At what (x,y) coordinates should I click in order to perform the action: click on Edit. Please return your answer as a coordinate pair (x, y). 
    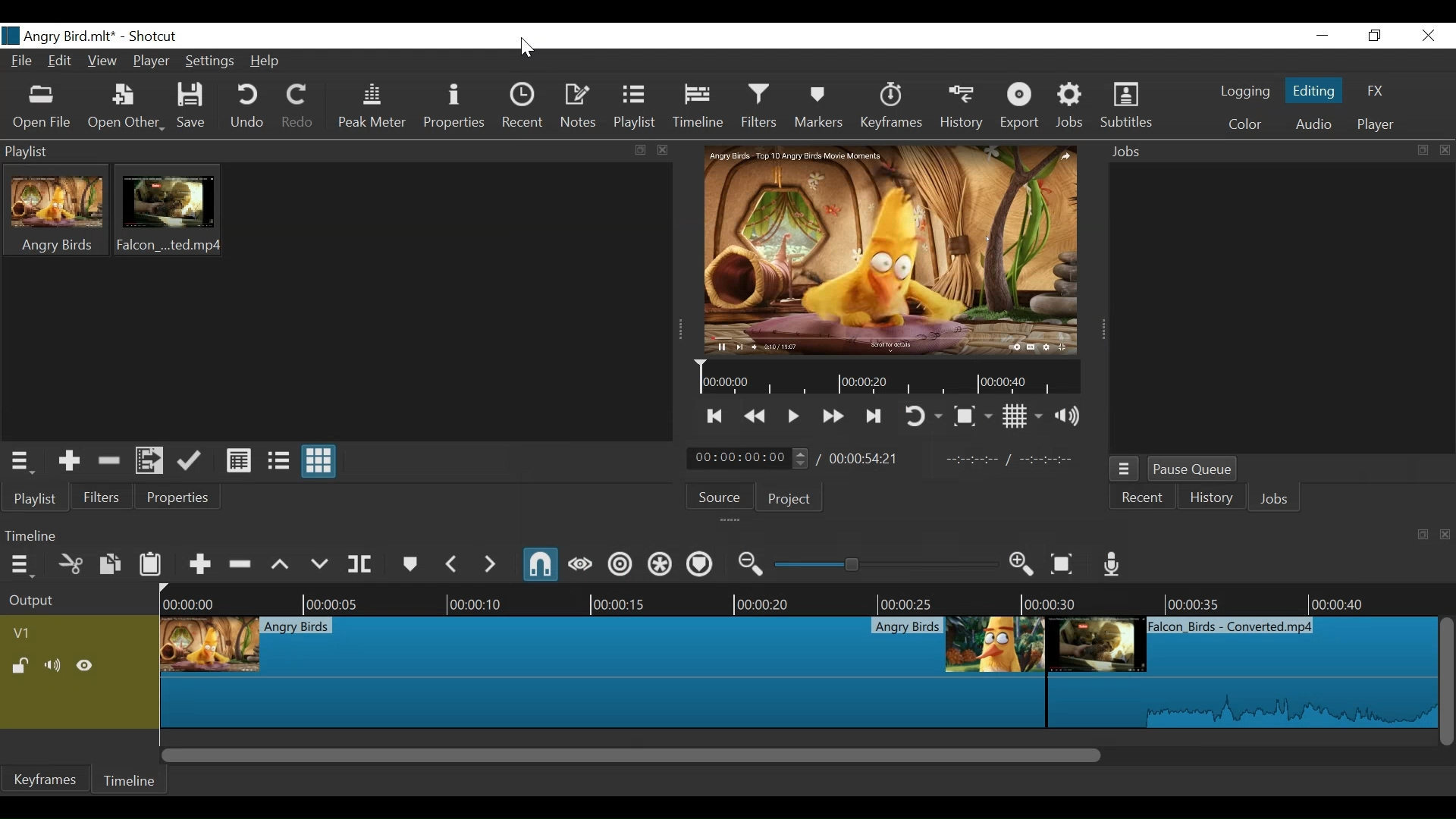
    Looking at the image, I should click on (61, 61).